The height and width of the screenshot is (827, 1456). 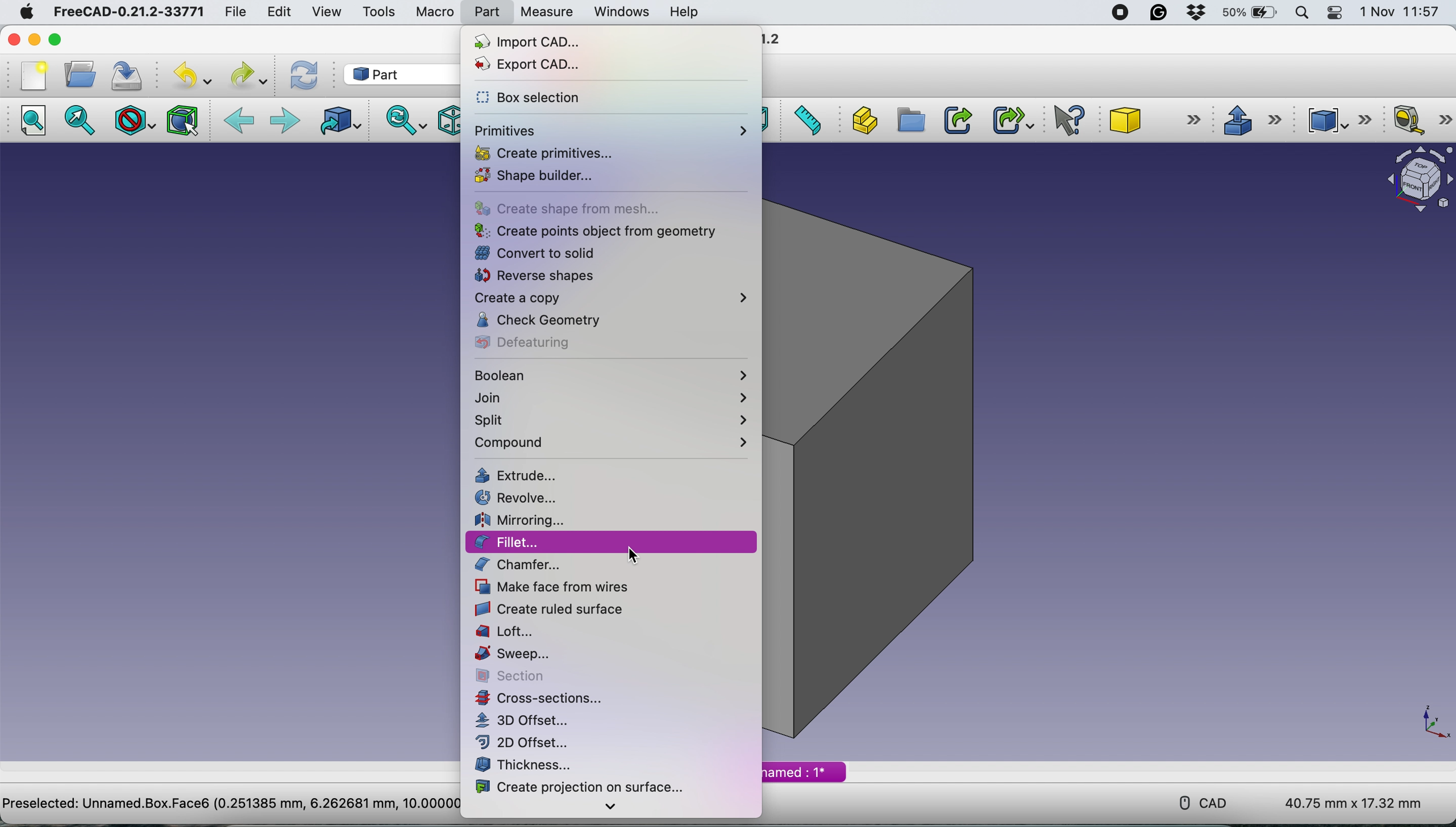 I want to click on project name and details - preselected: Unnamed.Box.Face6 (0.251385 mm, 6.262681 mm, 10.000000 mm), so click(x=228, y=802).